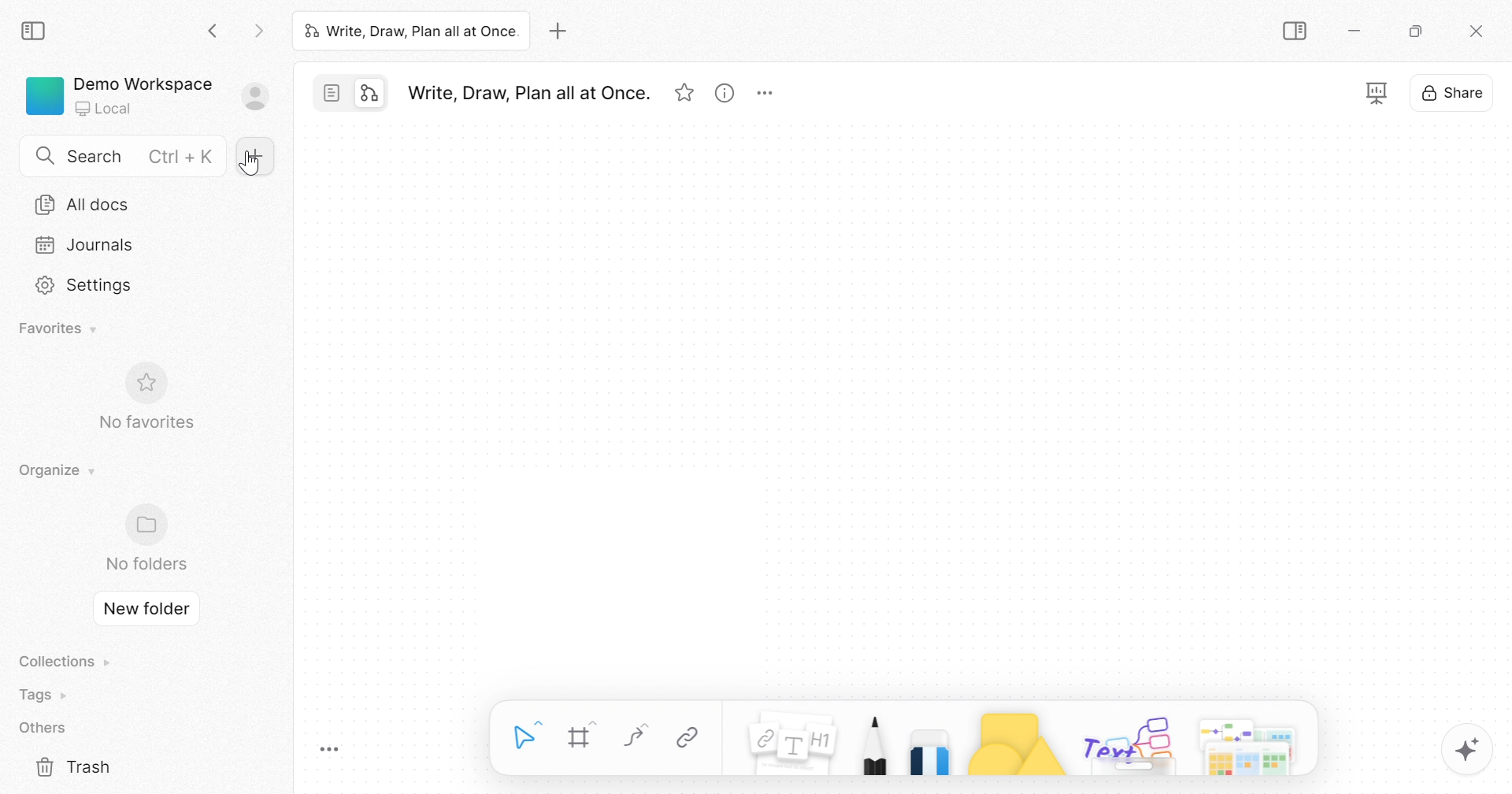 The width and height of the screenshot is (1512, 794). Describe the element at coordinates (639, 736) in the screenshot. I see `Curve` at that location.